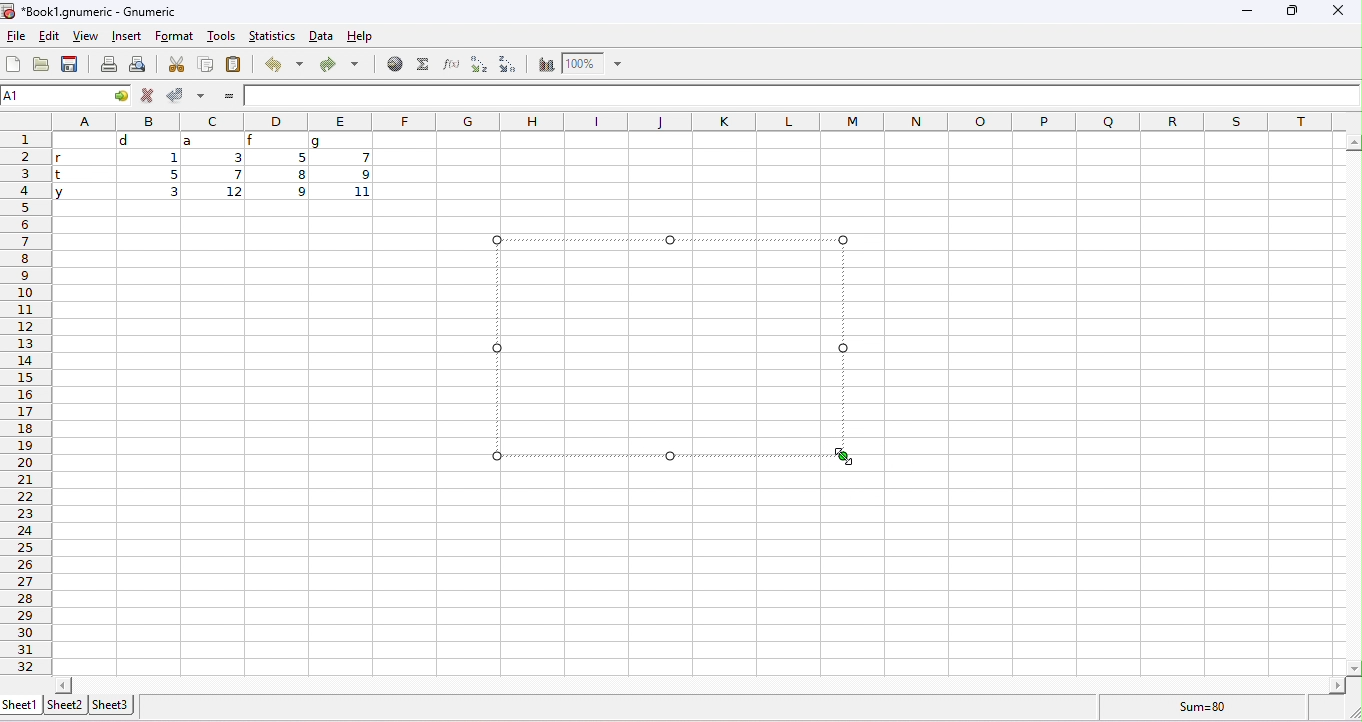 This screenshot has width=1362, height=722. I want to click on chart, so click(543, 64).